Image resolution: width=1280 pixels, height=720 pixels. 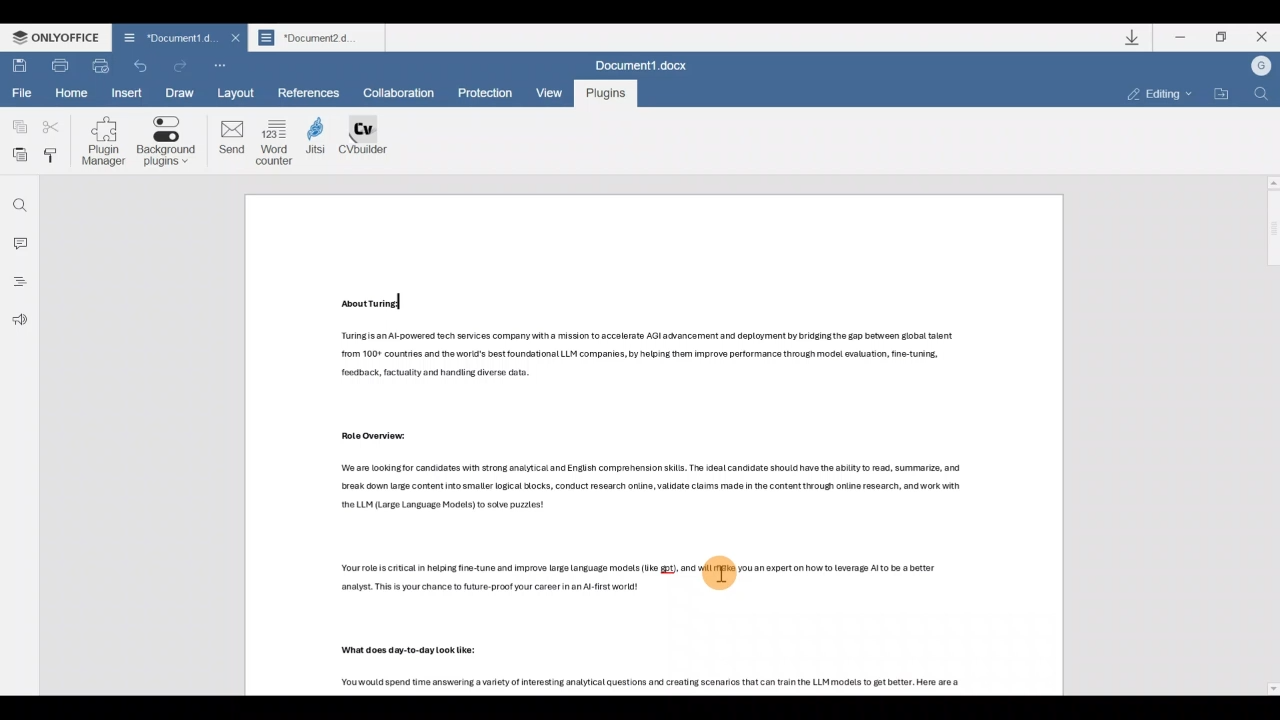 What do you see at coordinates (370, 305) in the screenshot?
I see `` at bounding box center [370, 305].